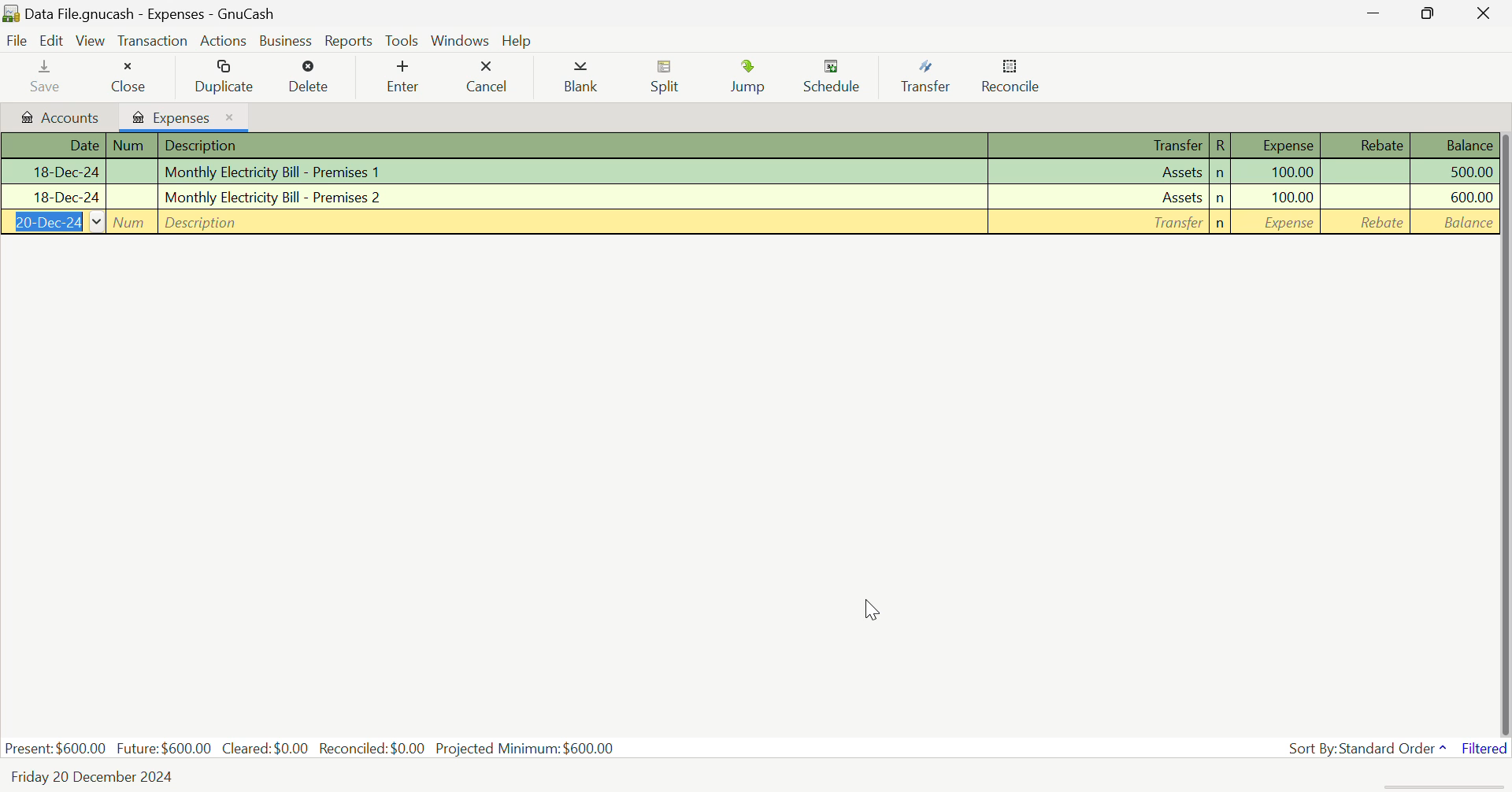 The image size is (1512, 792). I want to click on Save, so click(47, 77).